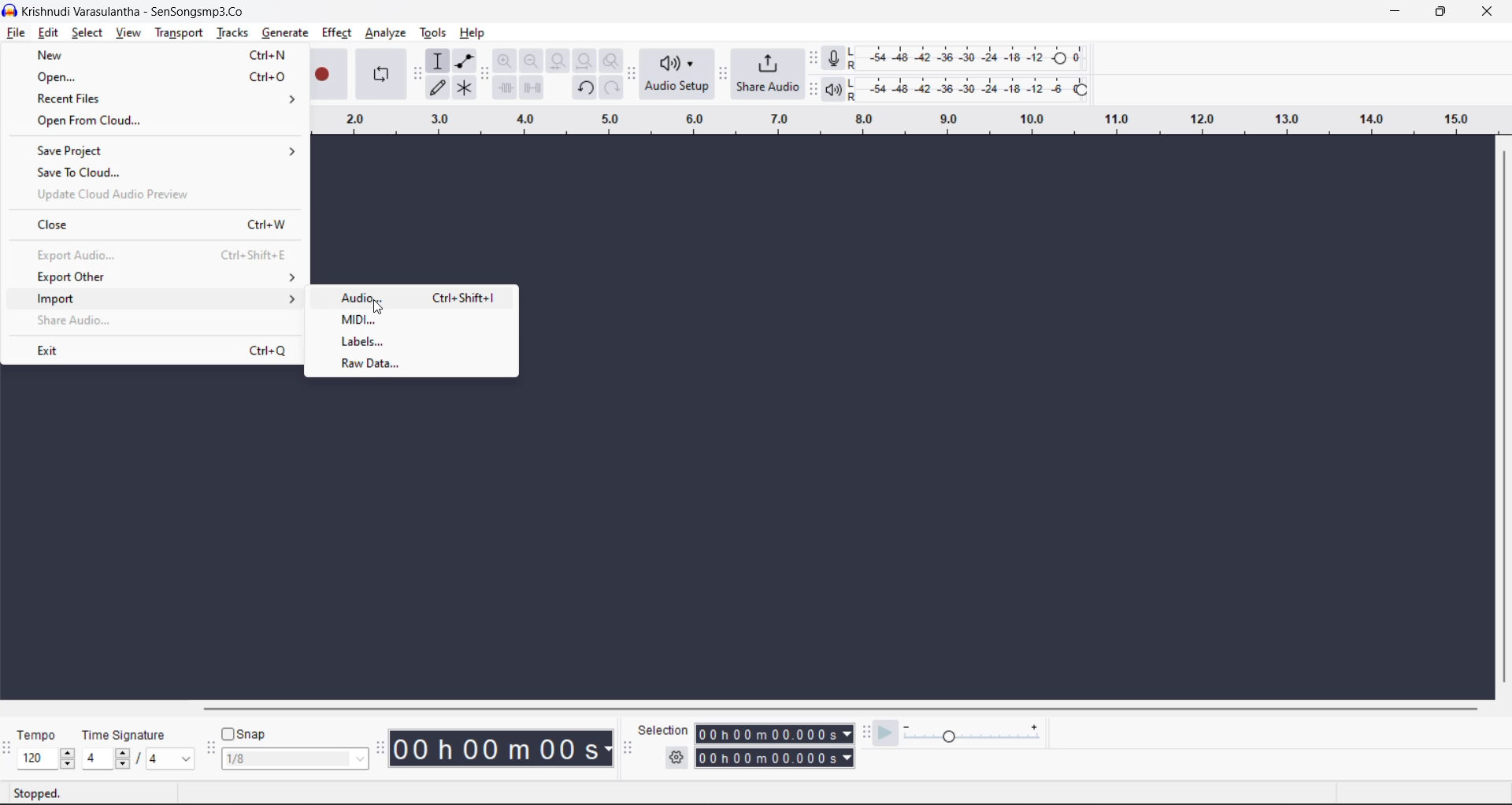  Describe the element at coordinates (165, 55) in the screenshot. I see `new` at that location.